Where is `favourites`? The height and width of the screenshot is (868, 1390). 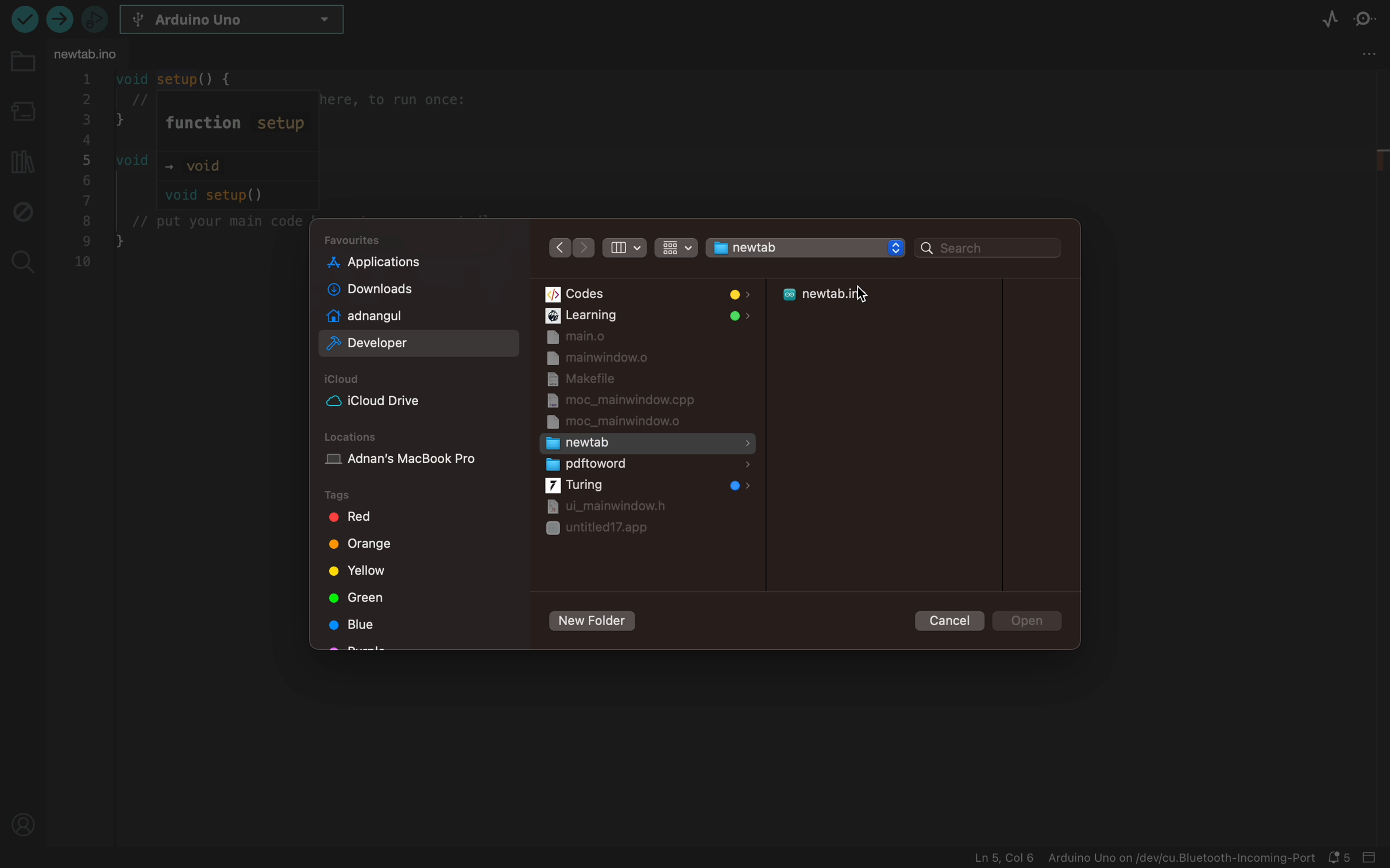
favourites is located at coordinates (357, 240).